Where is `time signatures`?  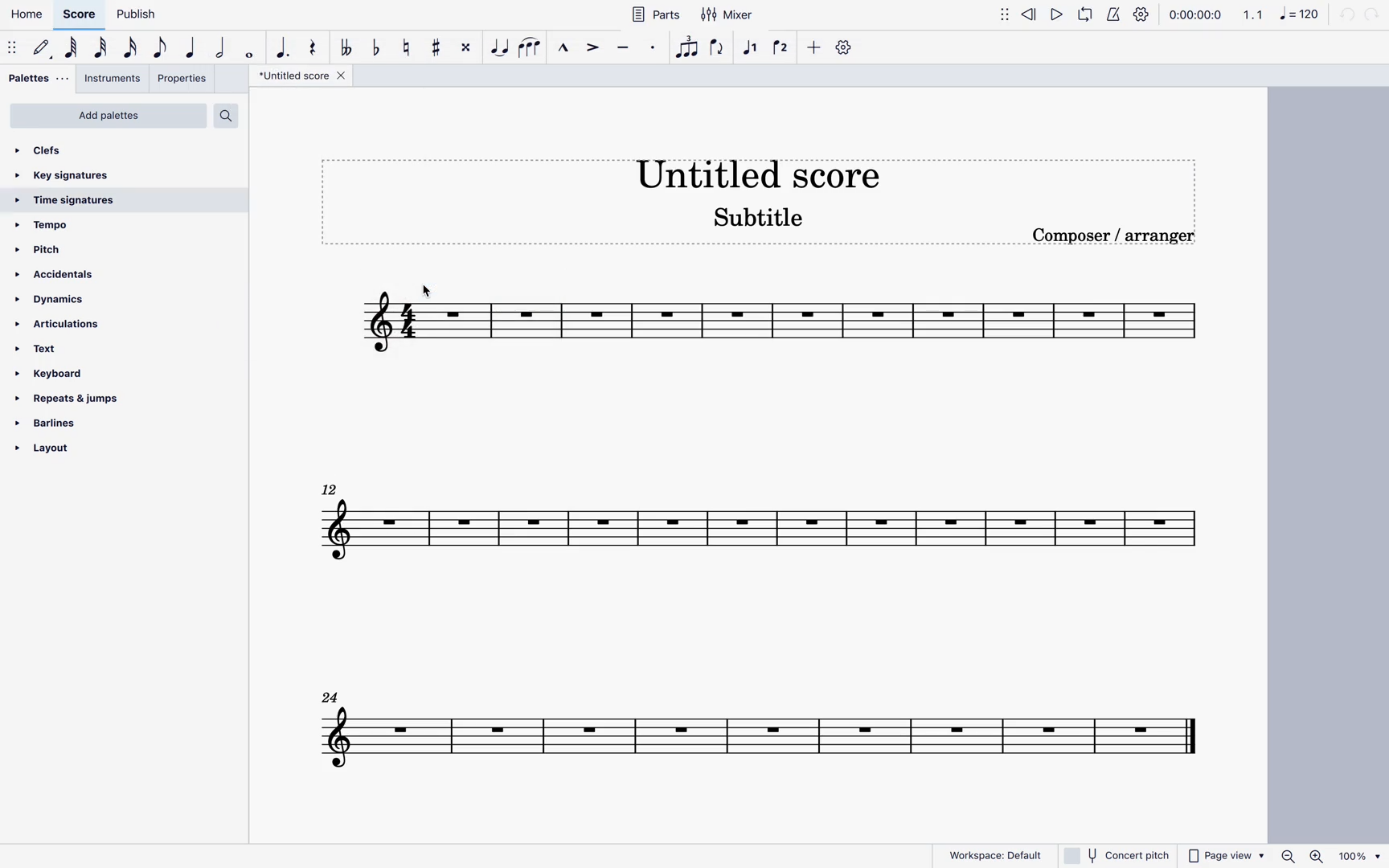
time signatures is located at coordinates (68, 202).